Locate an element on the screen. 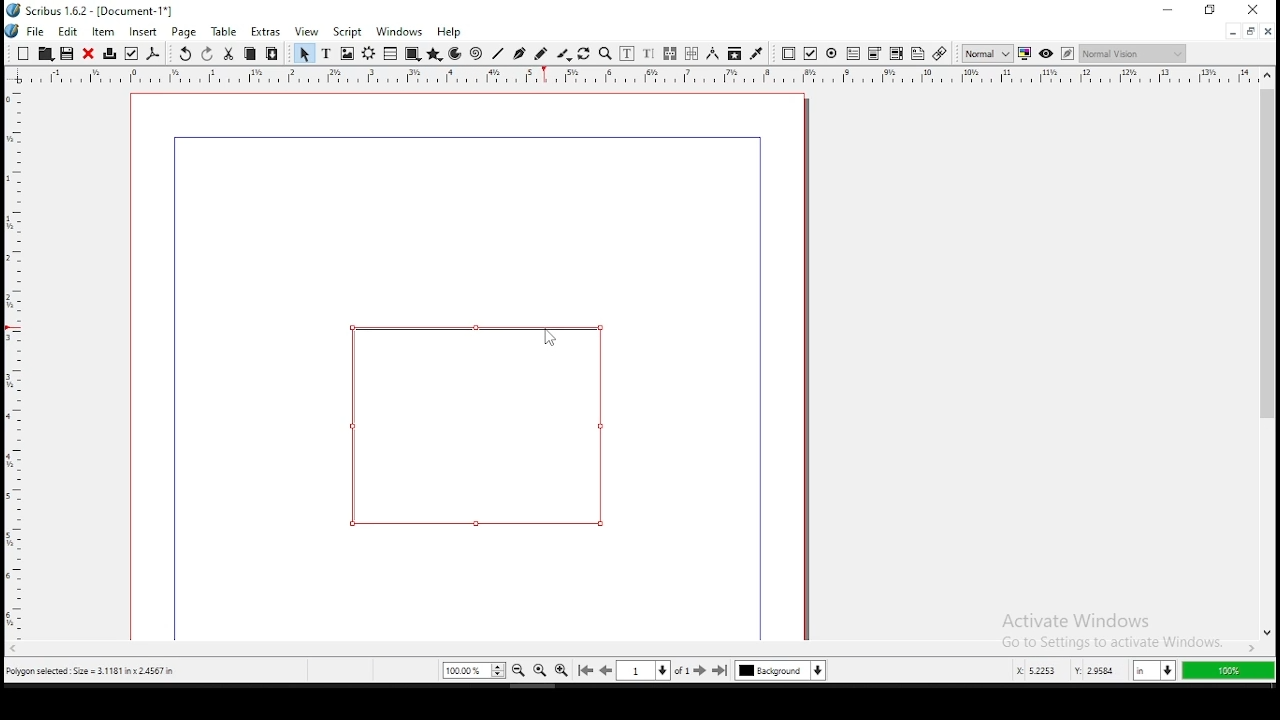 The image size is (1280, 720). text is located at coordinates (327, 53).